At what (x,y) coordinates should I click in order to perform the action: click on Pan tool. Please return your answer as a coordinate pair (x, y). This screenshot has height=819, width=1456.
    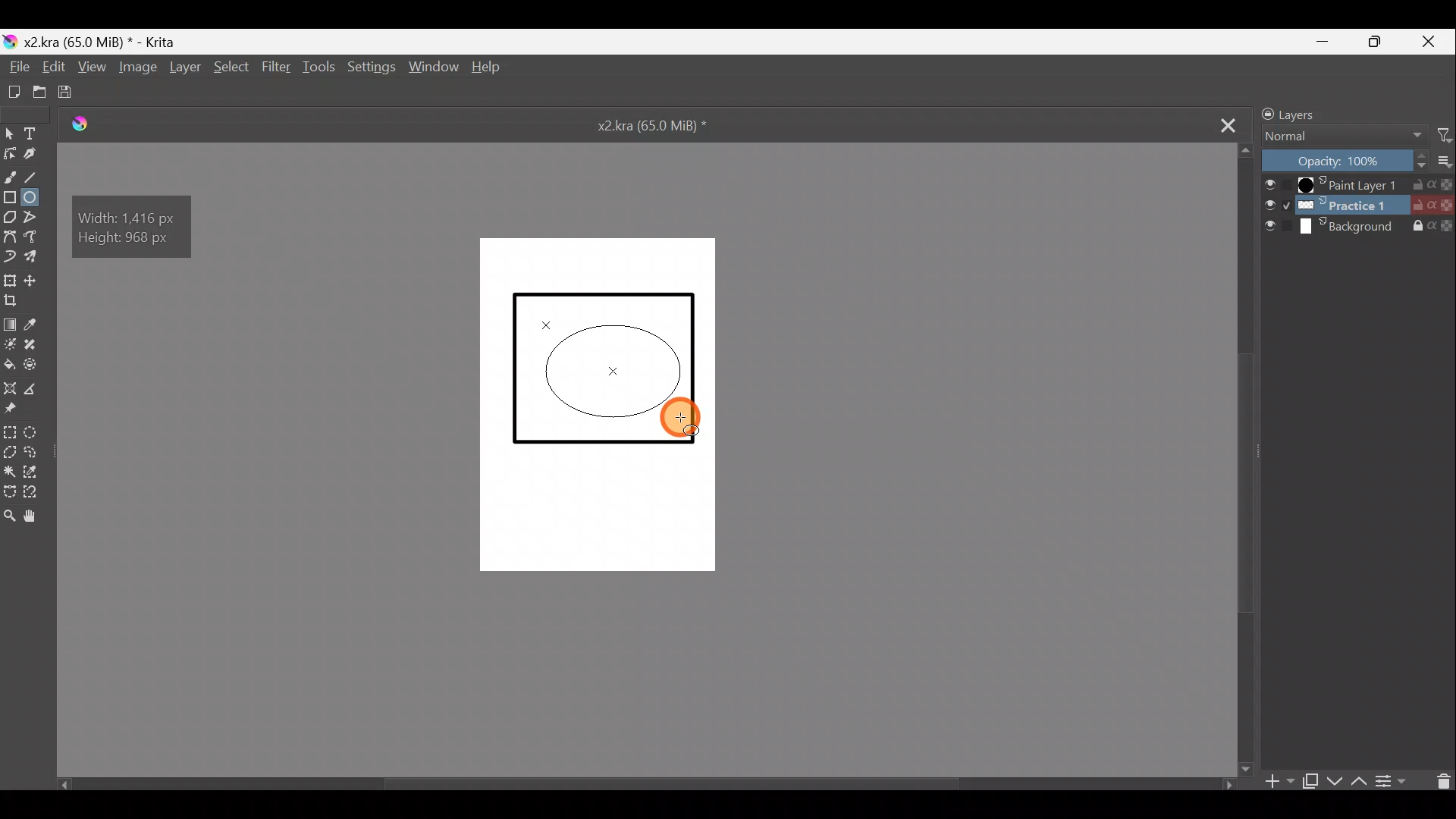
    Looking at the image, I should click on (39, 516).